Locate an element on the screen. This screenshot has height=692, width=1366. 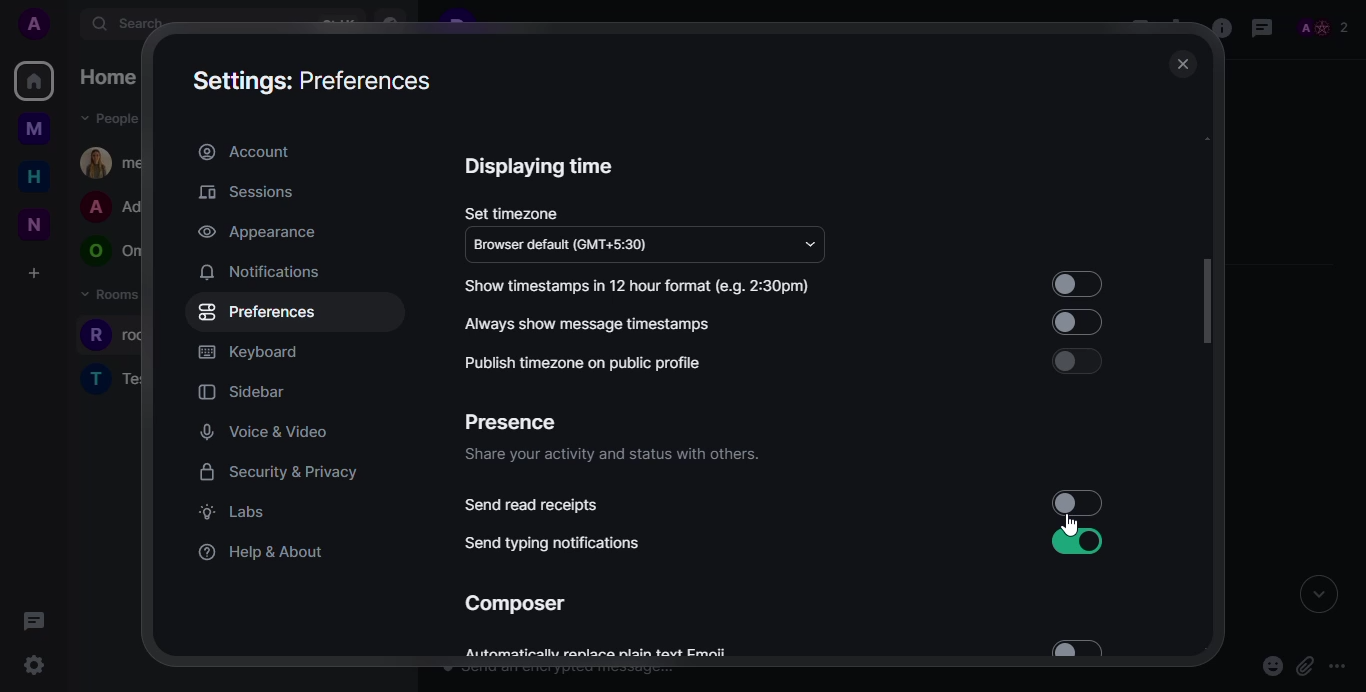
people room is located at coordinates (112, 252).